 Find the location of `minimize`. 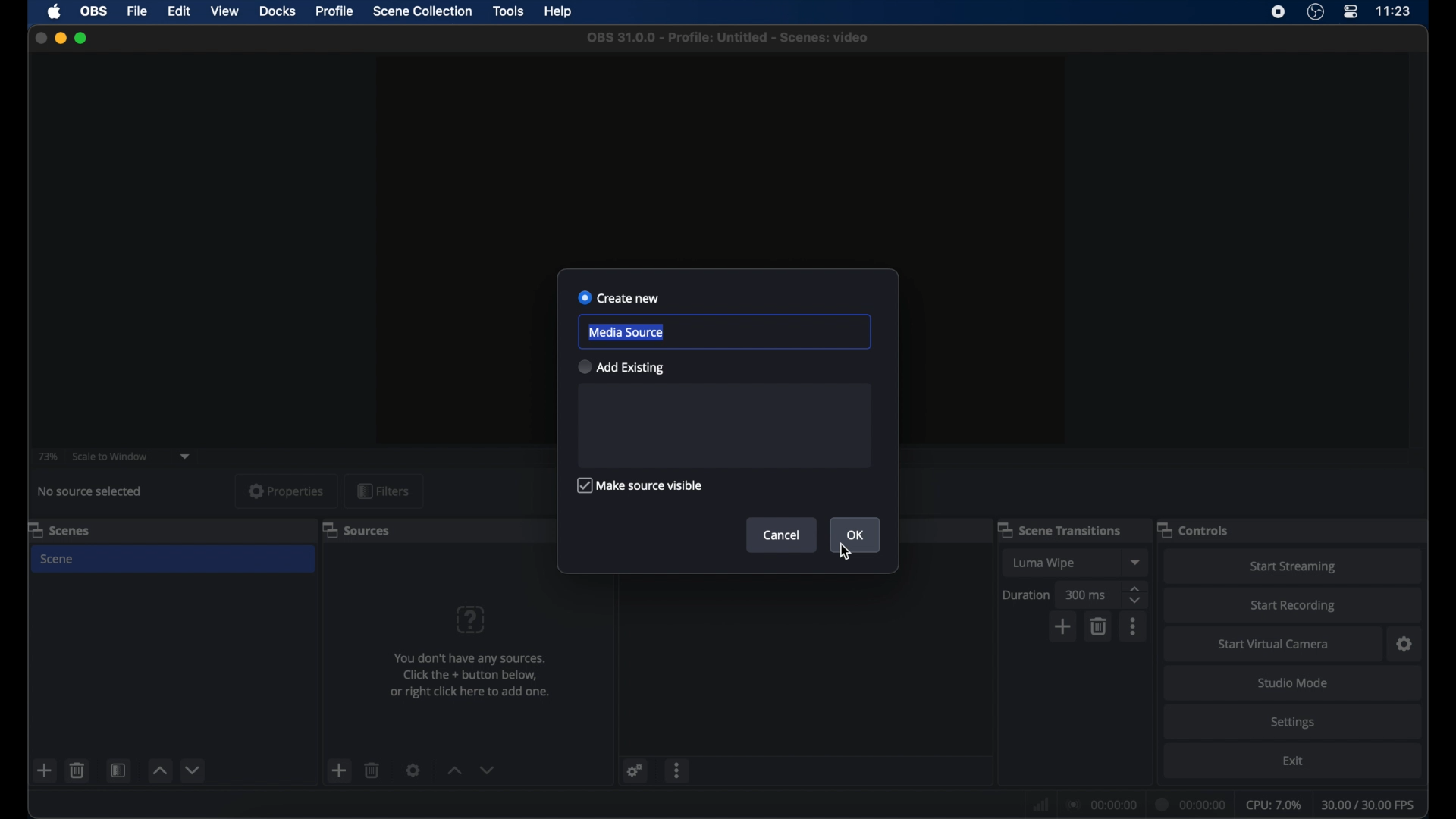

minimize is located at coordinates (60, 38).